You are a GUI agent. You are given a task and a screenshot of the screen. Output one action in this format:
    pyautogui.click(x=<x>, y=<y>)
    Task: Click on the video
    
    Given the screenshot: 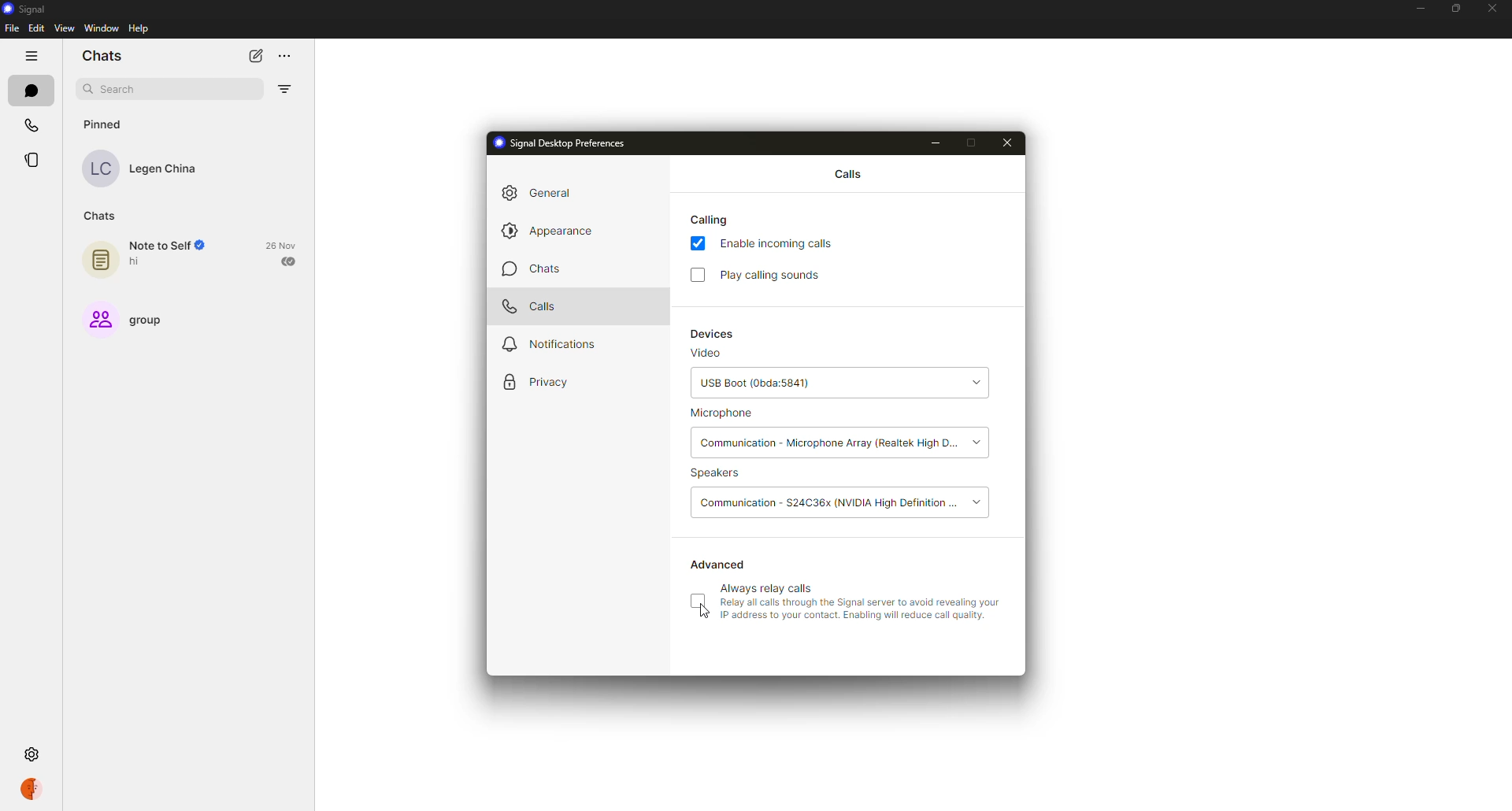 What is the action you would take?
    pyautogui.click(x=705, y=355)
    